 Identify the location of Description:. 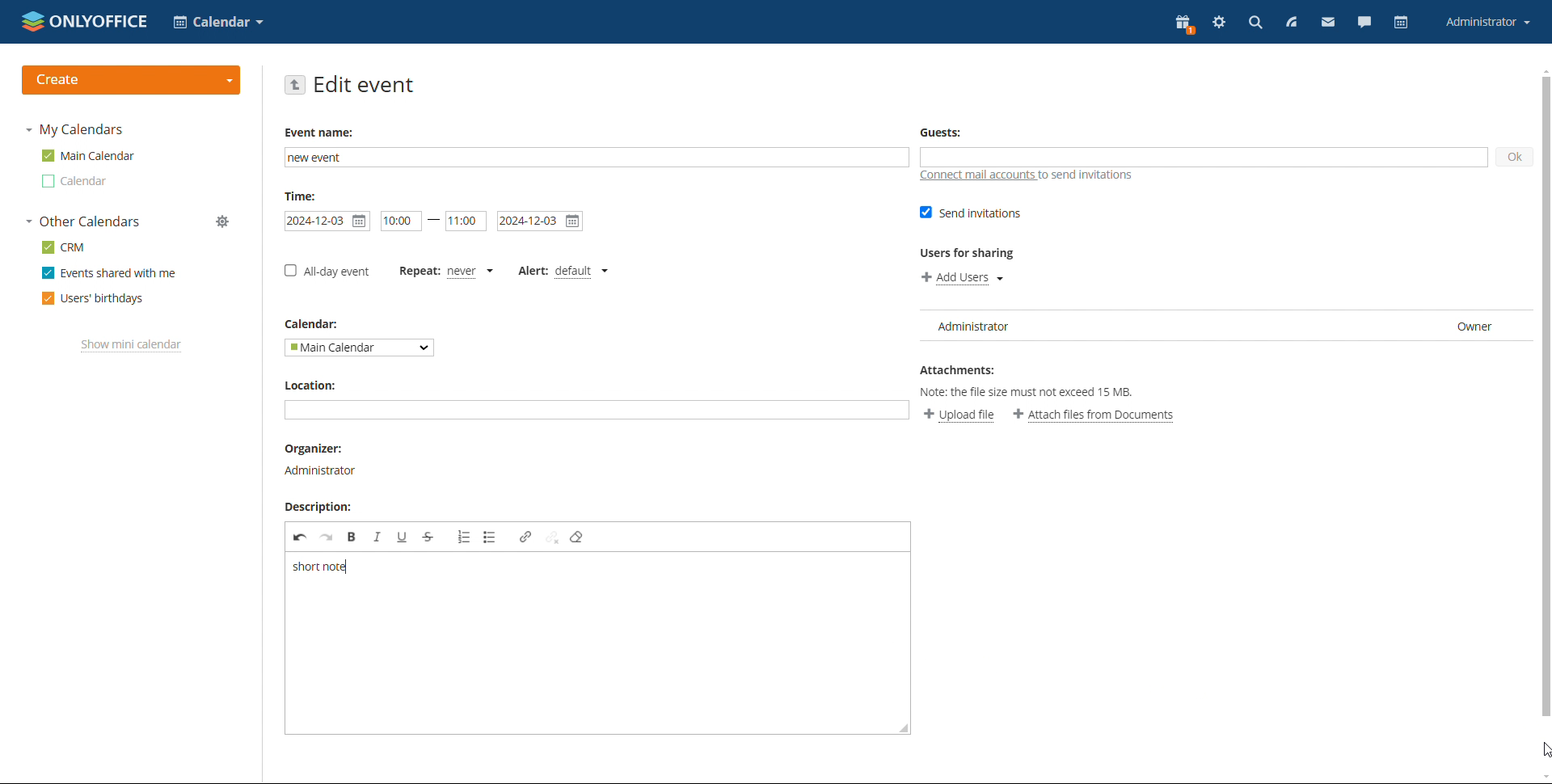
(314, 508).